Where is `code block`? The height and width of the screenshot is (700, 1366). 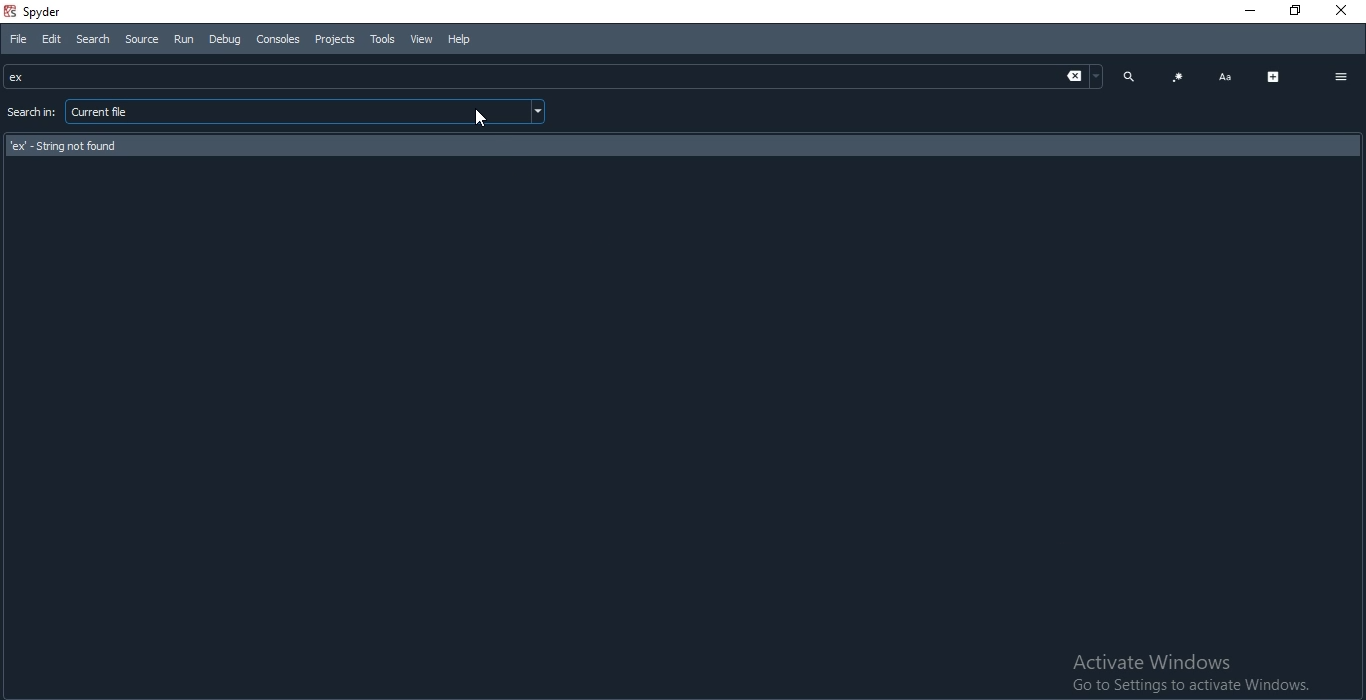 code block is located at coordinates (1178, 78).